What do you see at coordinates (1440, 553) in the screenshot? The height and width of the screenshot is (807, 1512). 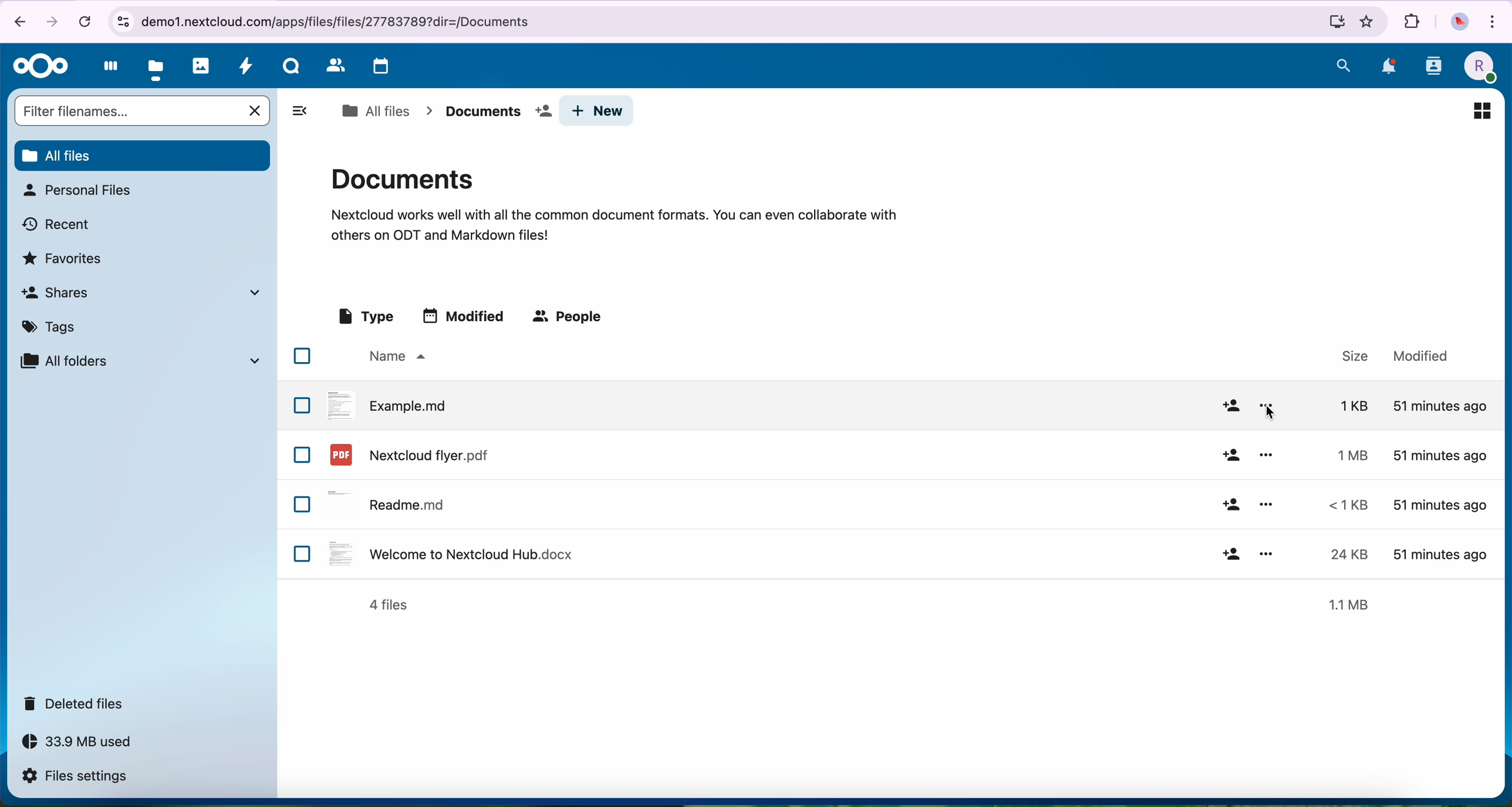 I see `modified` at bounding box center [1440, 553].